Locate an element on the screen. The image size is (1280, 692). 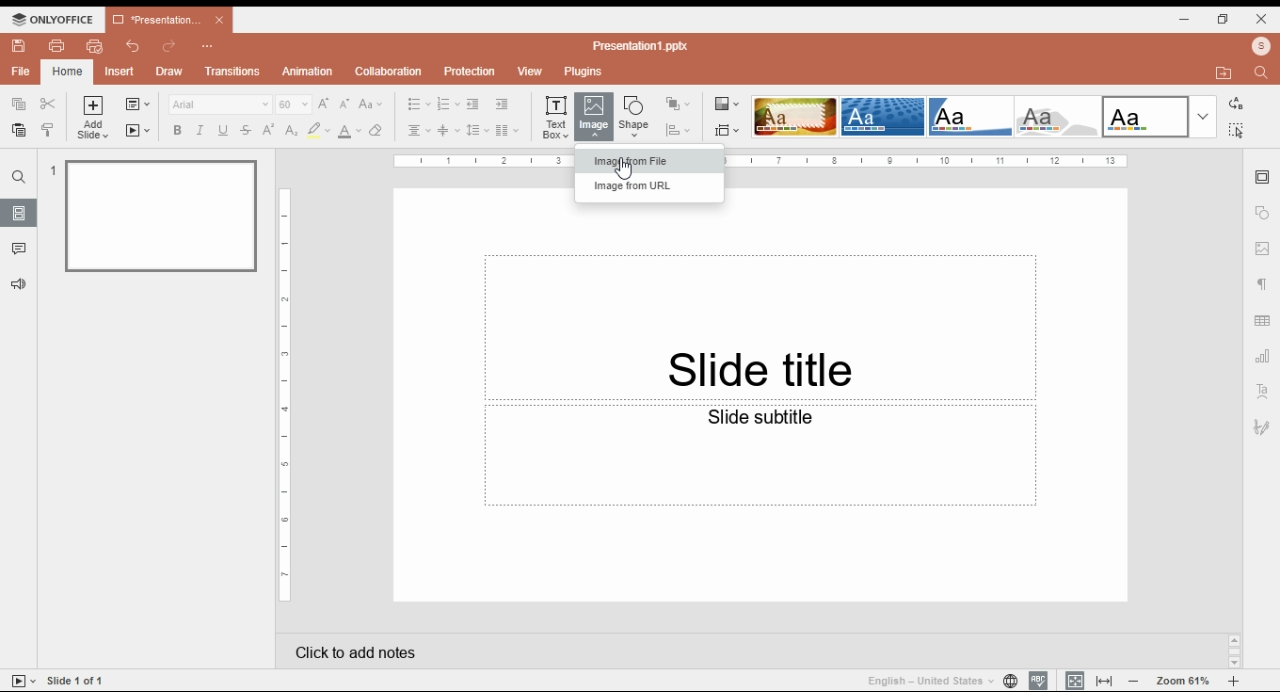
click to add notes is located at coordinates (732, 647).